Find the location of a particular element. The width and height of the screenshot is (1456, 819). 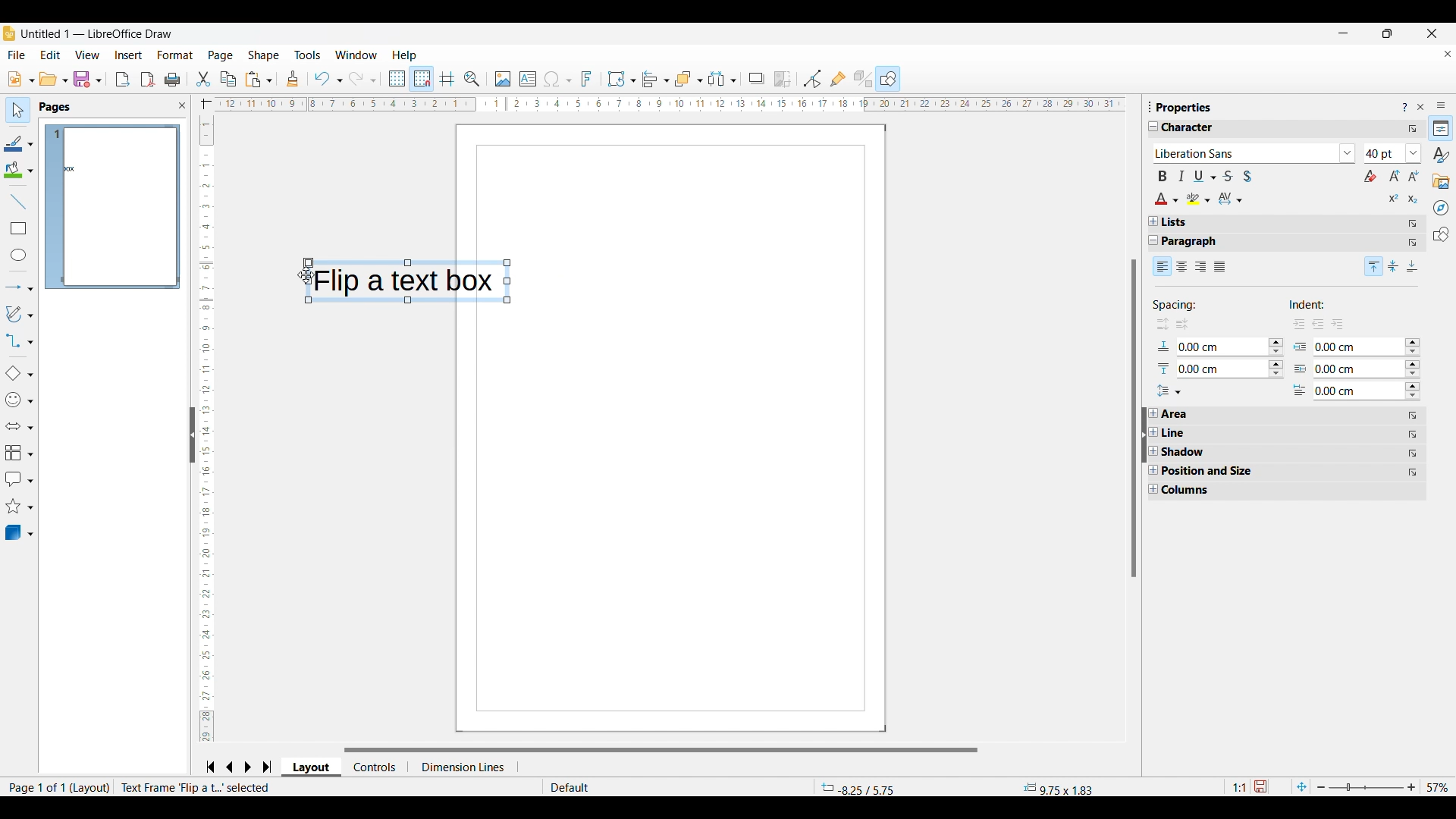

Insert special character options is located at coordinates (557, 80).